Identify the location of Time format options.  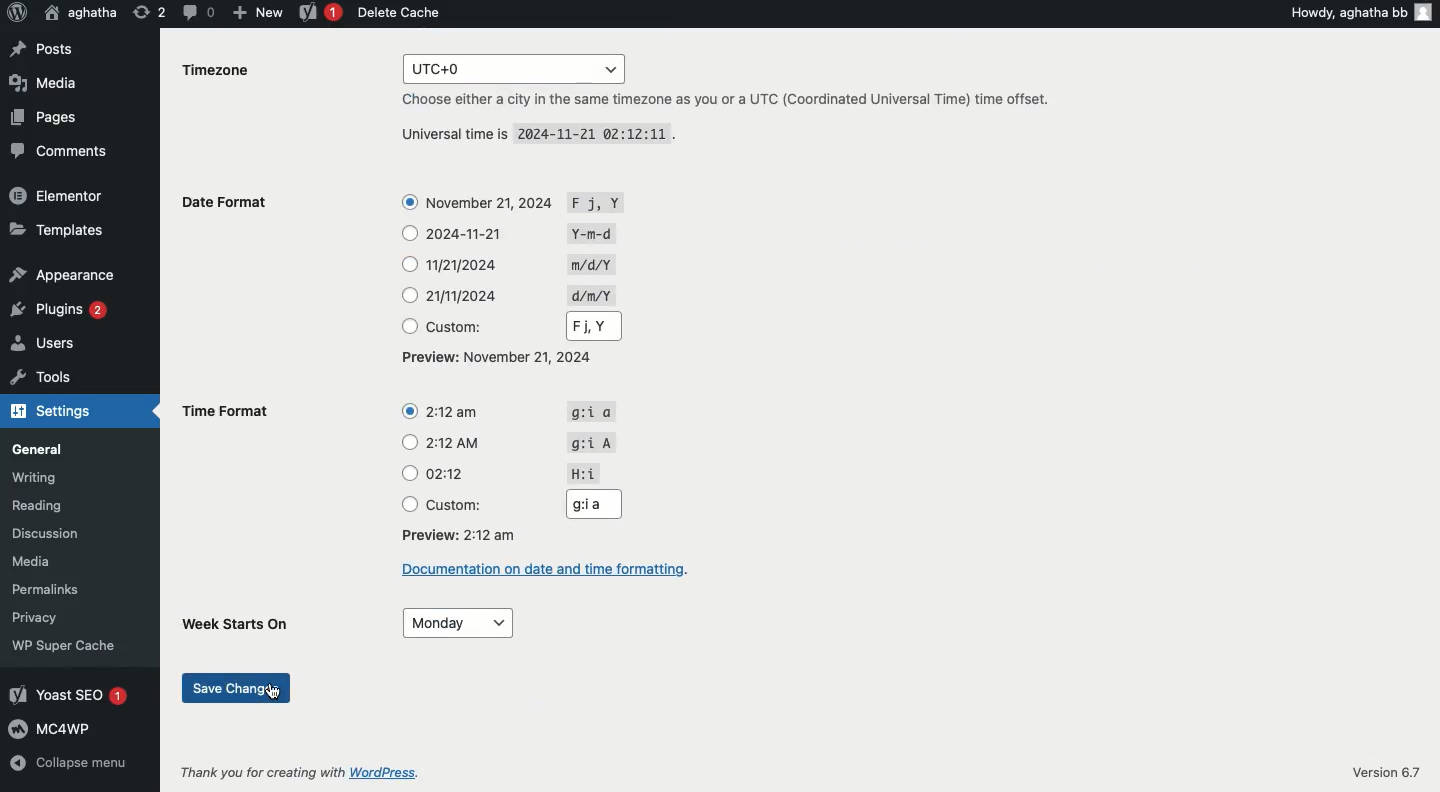
(446, 455).